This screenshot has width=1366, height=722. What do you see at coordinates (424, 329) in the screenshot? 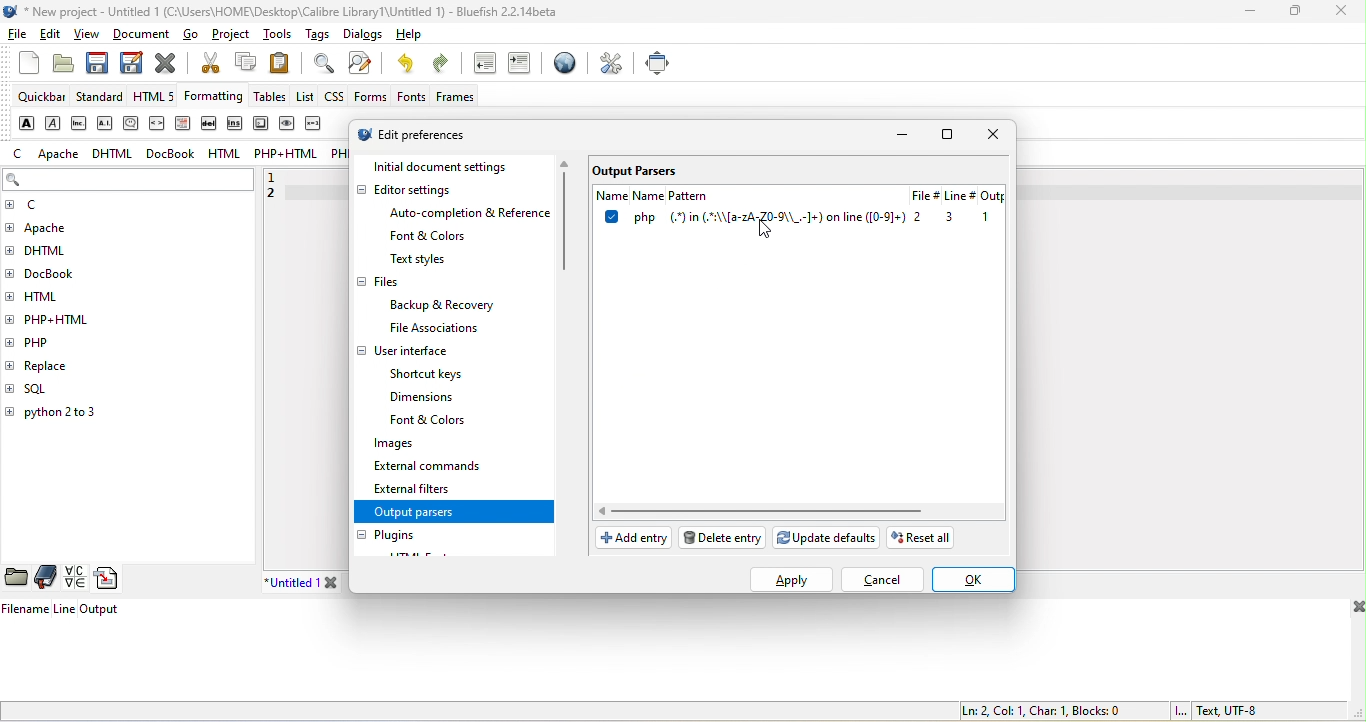
I see `file associations` at bounding box center [424, 329].